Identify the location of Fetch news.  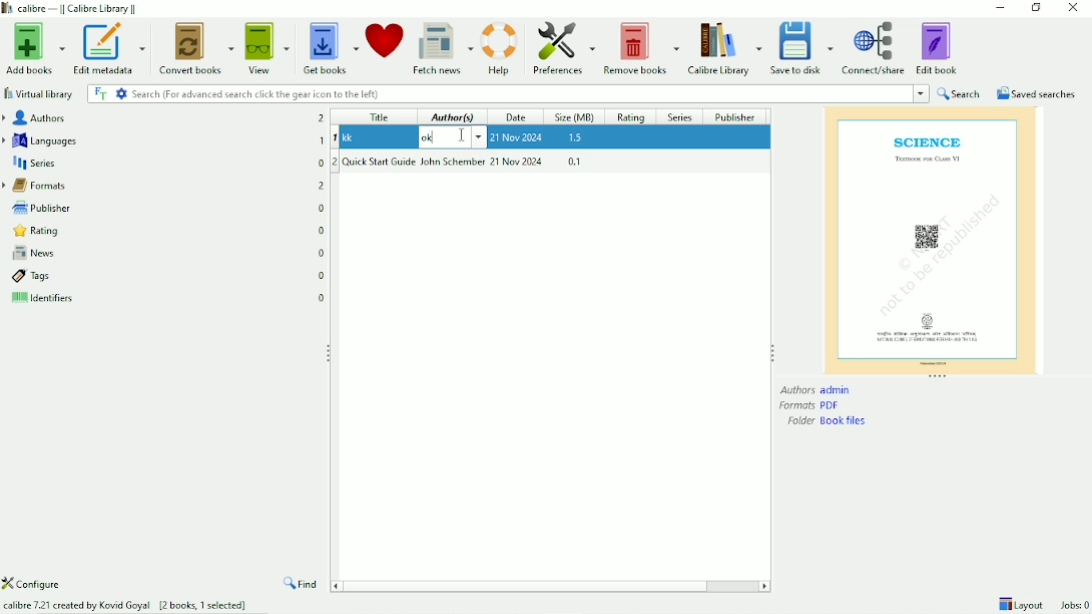
(443, 50).